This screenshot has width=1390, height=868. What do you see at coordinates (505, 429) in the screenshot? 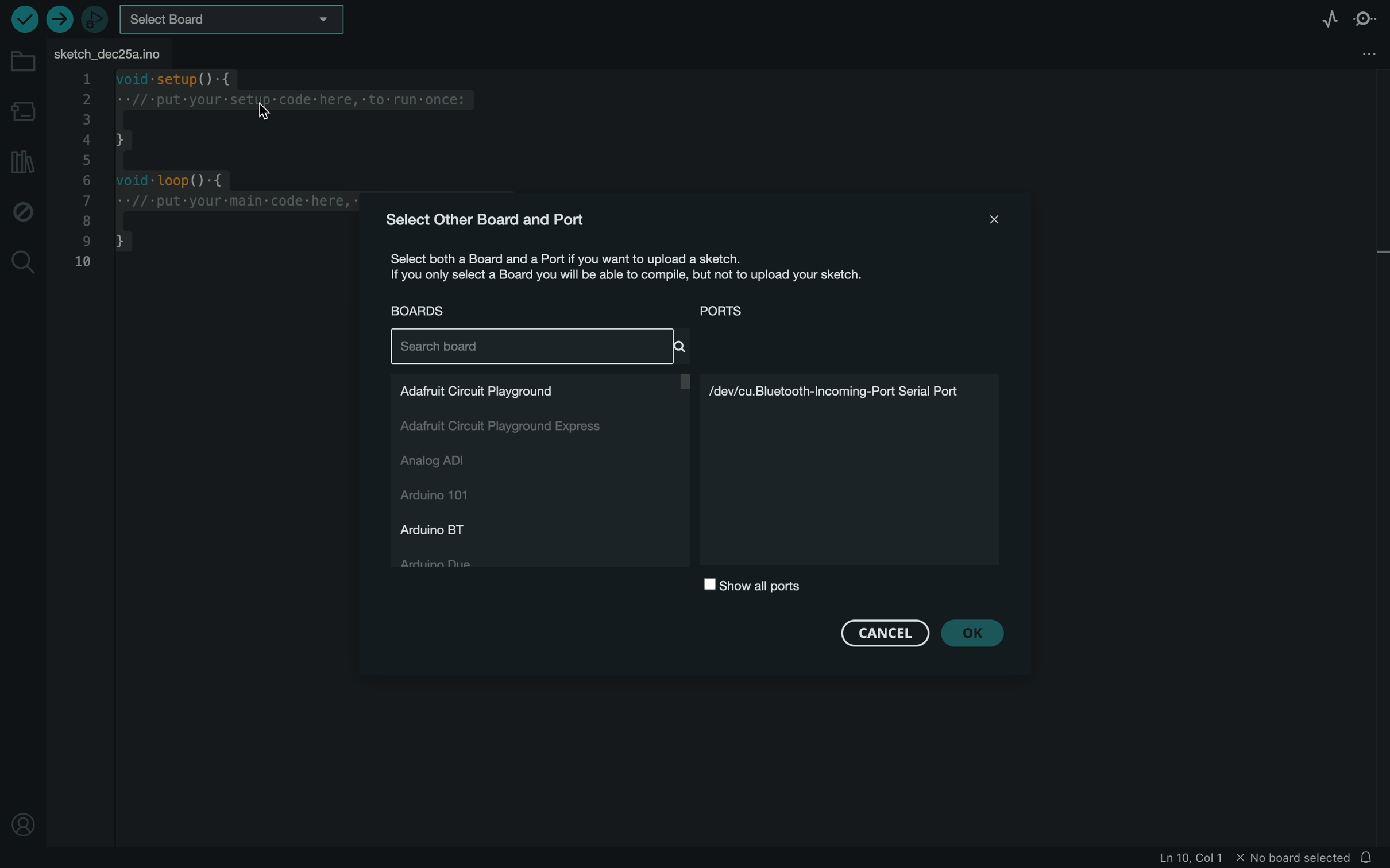
I see `adafruit express` at bounding box center [505, 429].